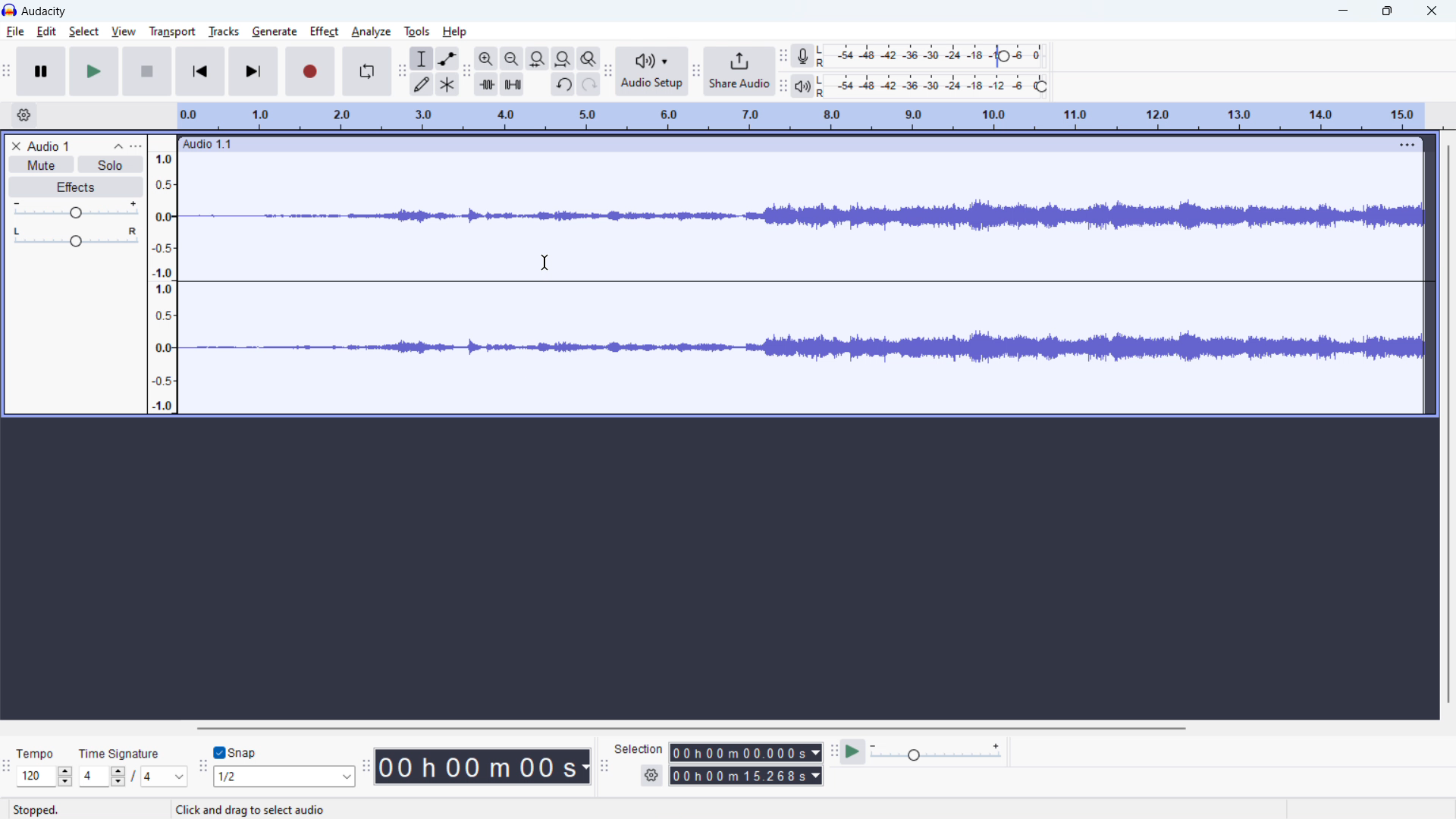  What do you see at coordinates (802, 57) in the screenshot?
I see `recording meter` at bounding box center [802, 57].